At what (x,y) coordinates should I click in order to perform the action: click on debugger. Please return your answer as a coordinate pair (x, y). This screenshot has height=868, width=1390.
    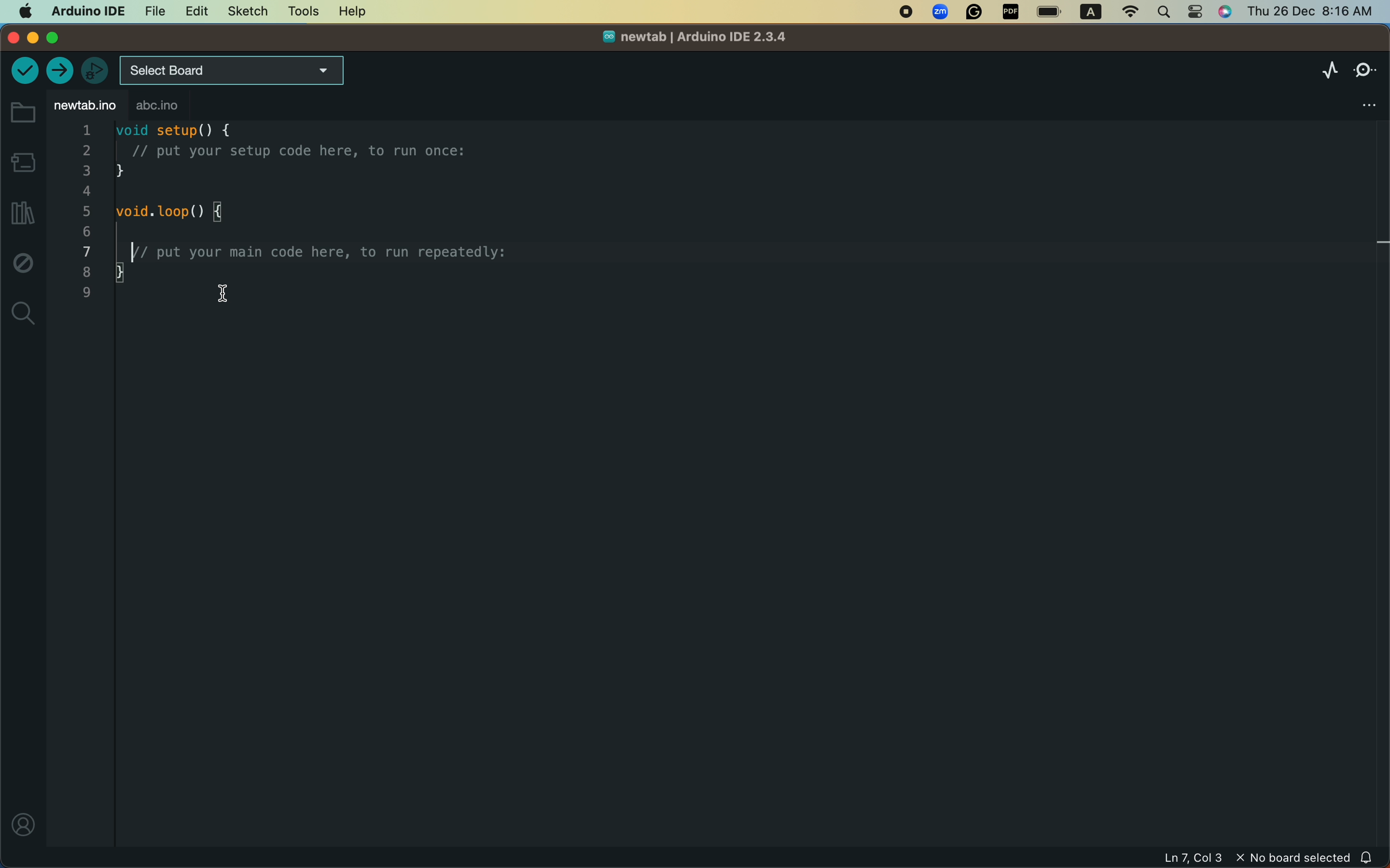
    Looking at the image, I should click on (94, 70).